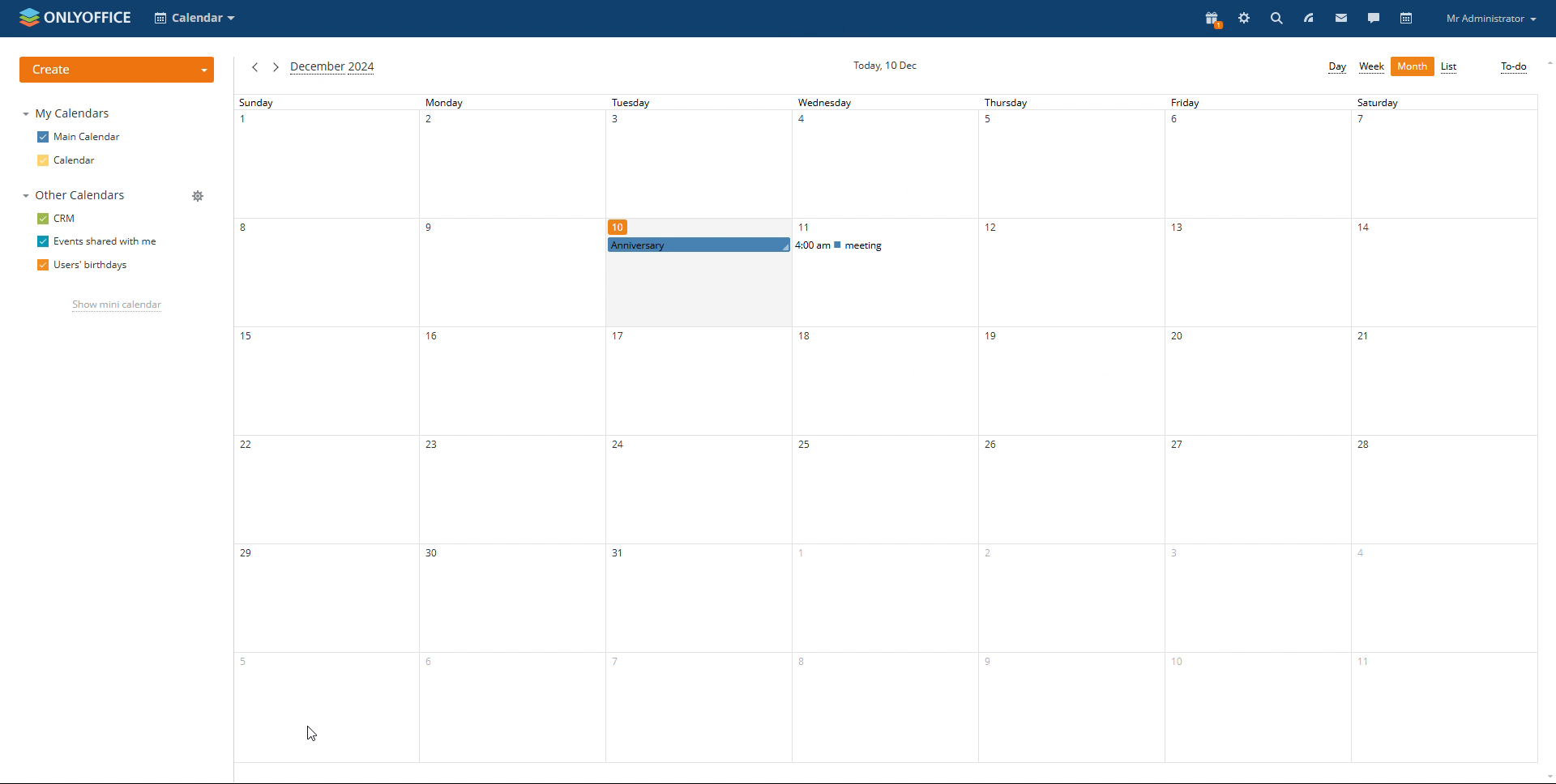 Image resolution: width=1556 pixels, height=784 pixels. What do you see at coordinates (882, 522) in the screenshot?
I see `wednesday` at bounding box center [882, 522].